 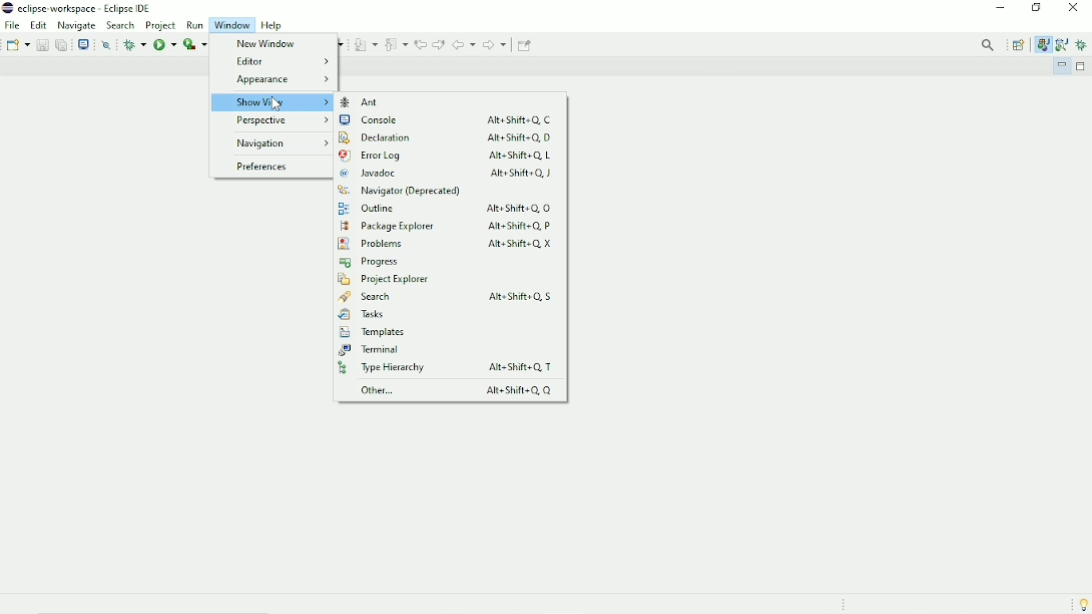 What do you see at coordinates (1082, 45) in the screenshot?
I see `Debug` at bounding box center [1082, 45].